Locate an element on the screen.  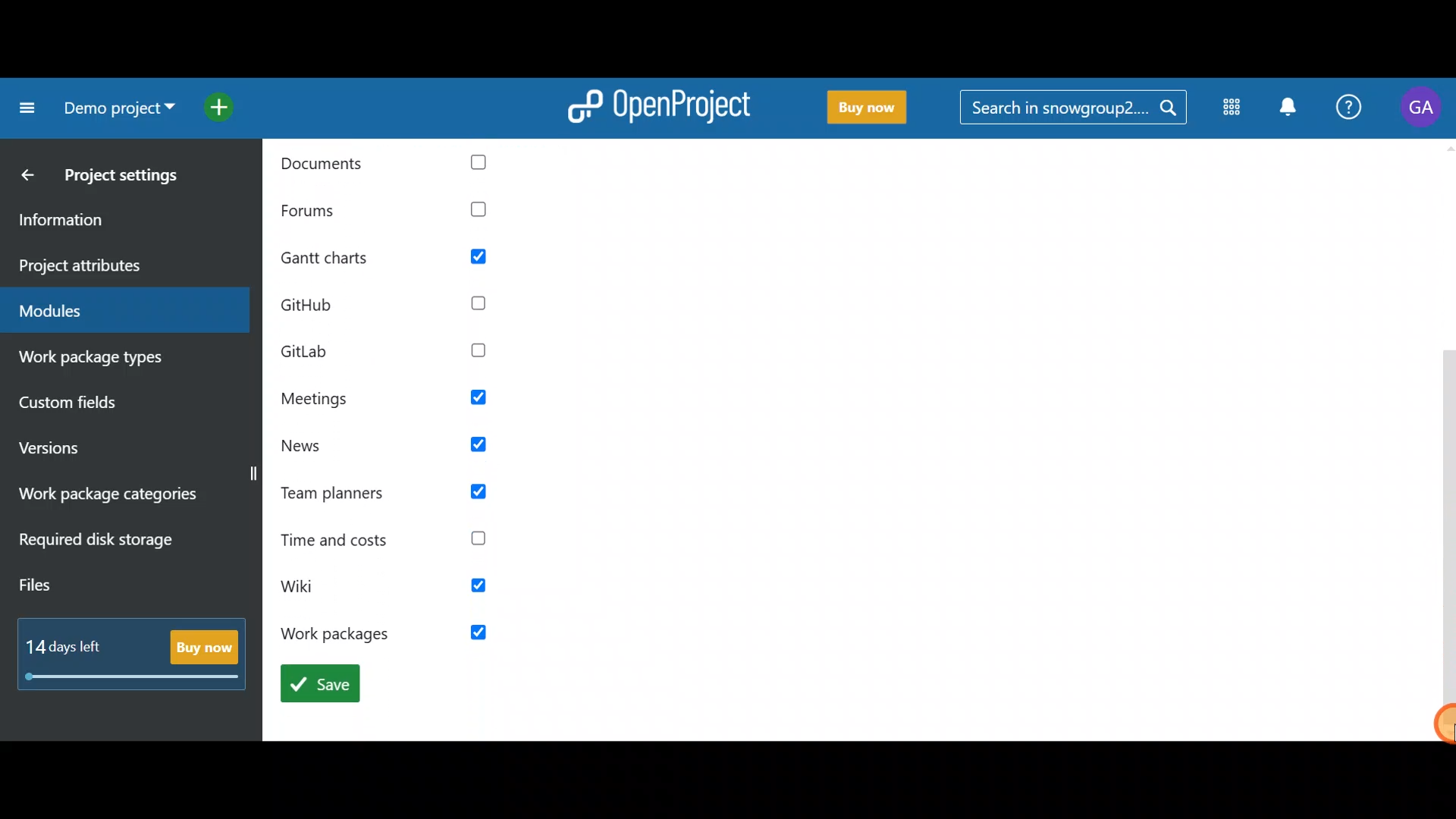
gantt charts is located at coordinates (397, 259).